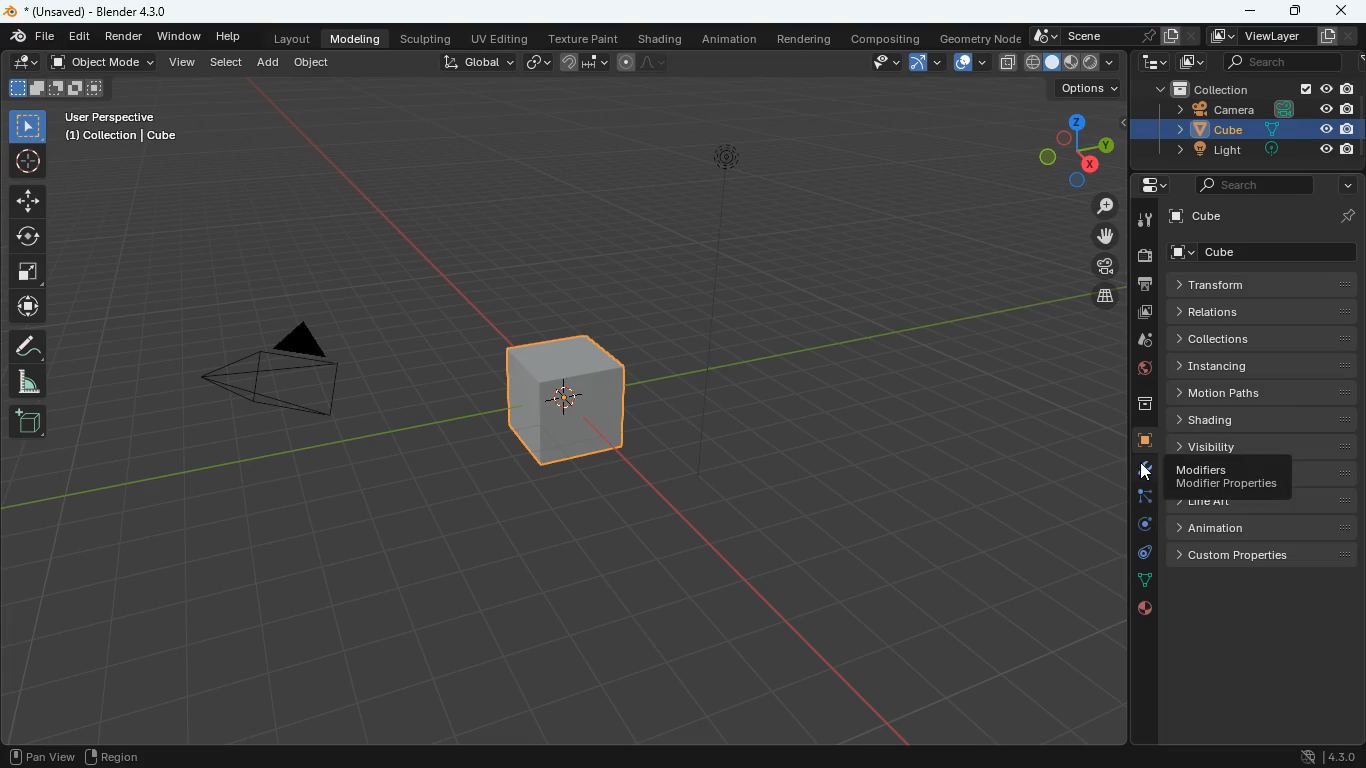 This screenshot has height=768, width=1366. I want to click on sculpting, so click(427, 39).